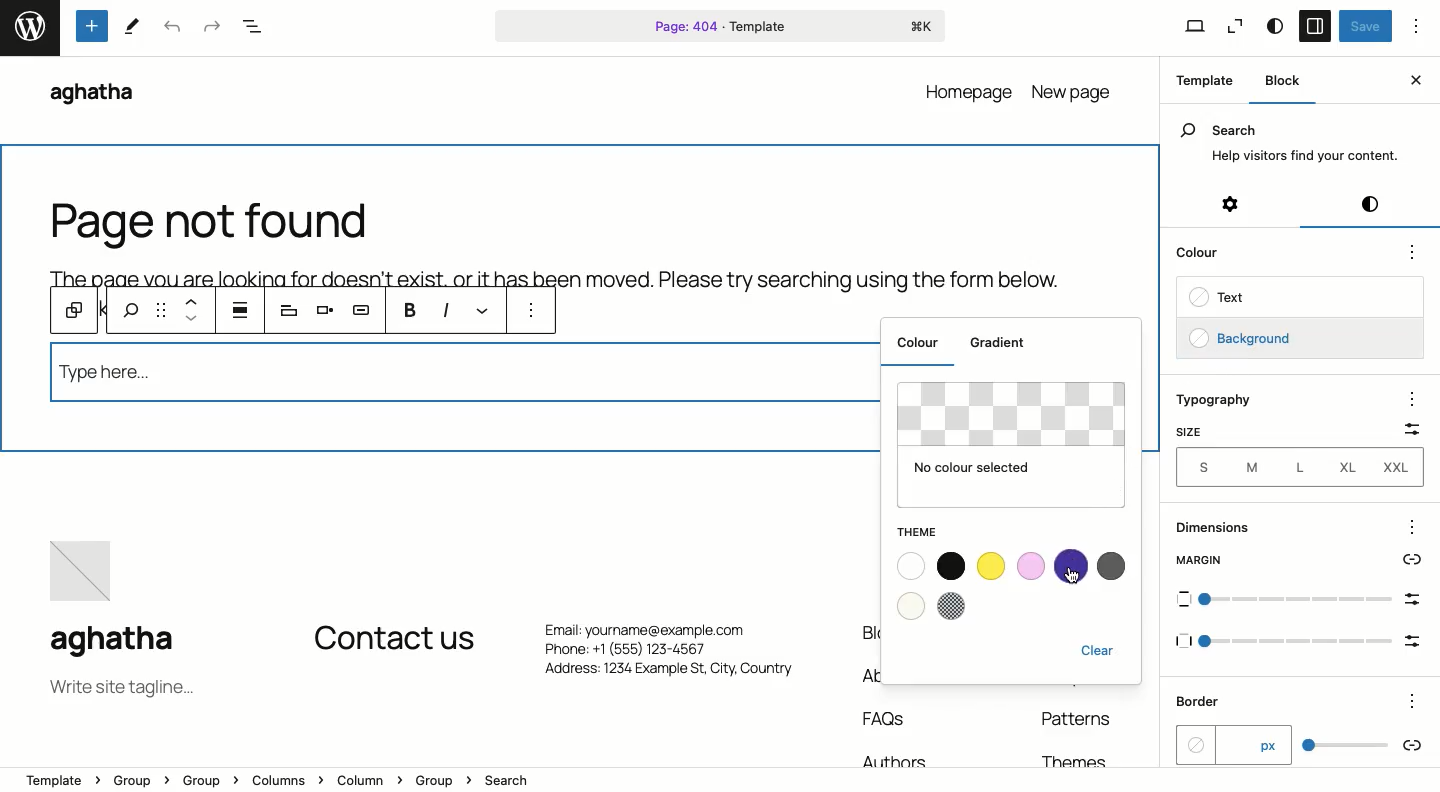 This screenshot has width=1440, height=792. I want to click on Style, so click(1276, 27).